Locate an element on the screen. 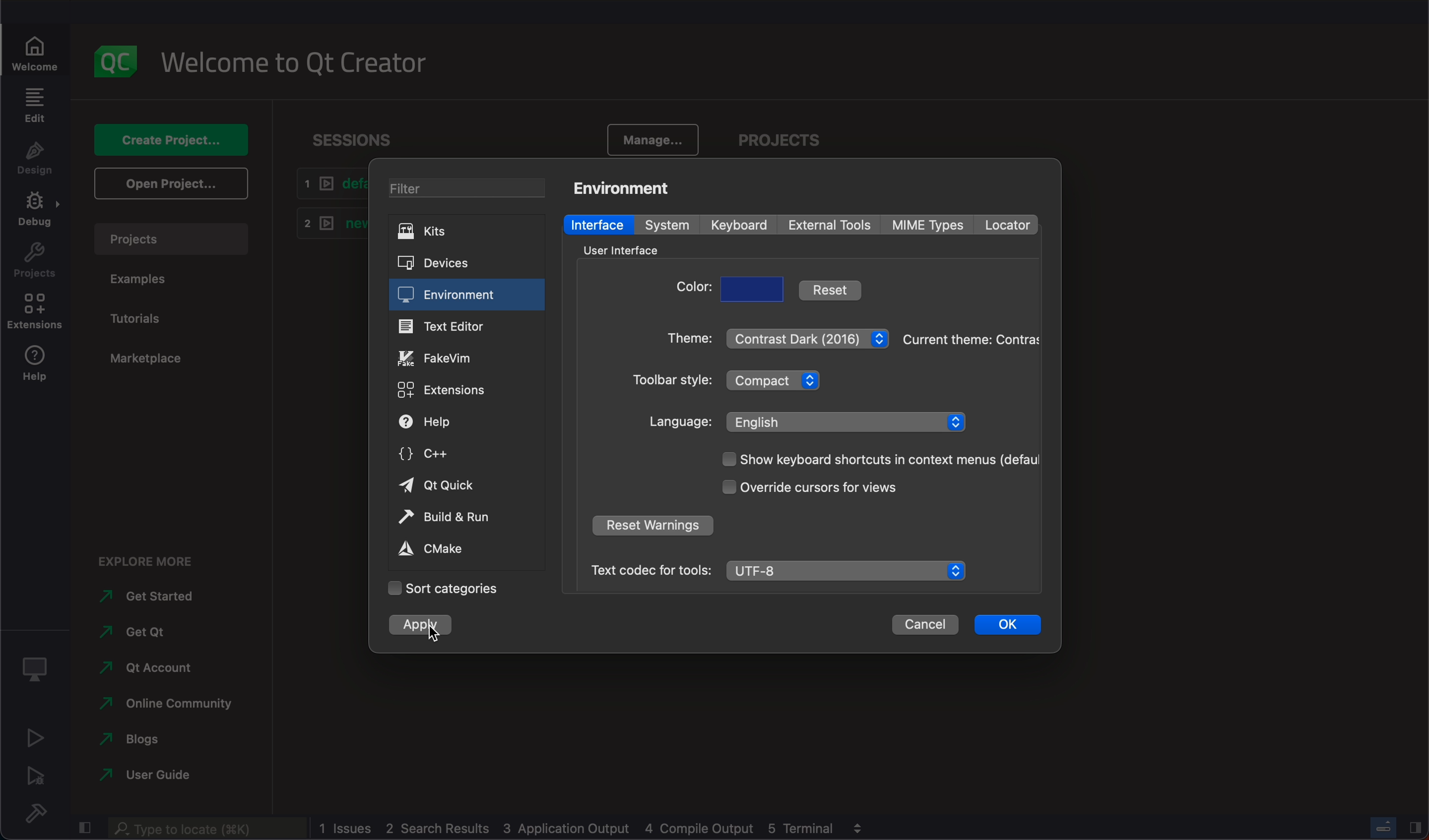 This screenshot has height=840, width=1429. ok is located at coordinates (1009, 626).